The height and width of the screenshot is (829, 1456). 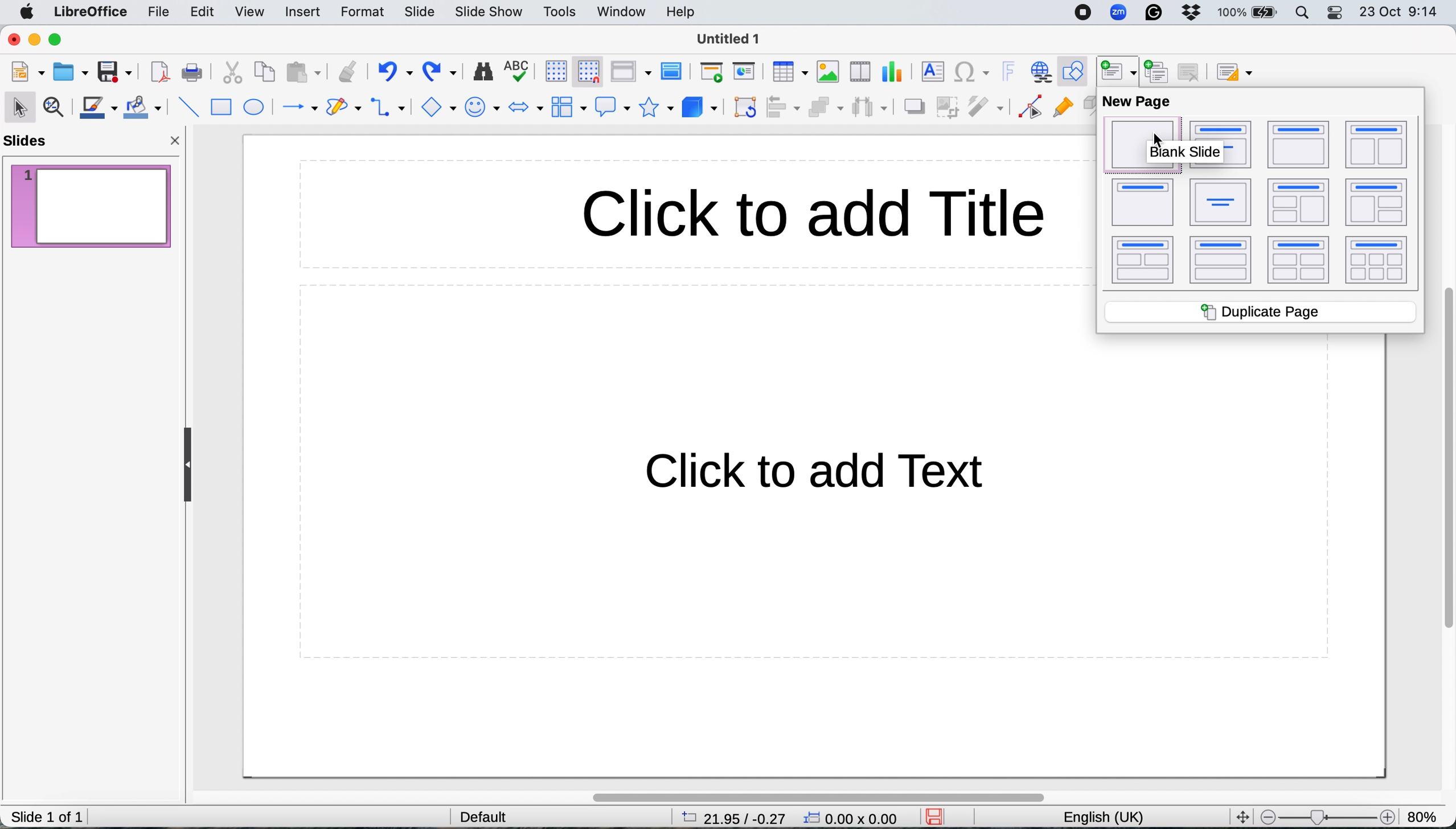 What do you see at coordinates (683, 12) in the screenshot?
I see `help` at bounding box center [683, 12].